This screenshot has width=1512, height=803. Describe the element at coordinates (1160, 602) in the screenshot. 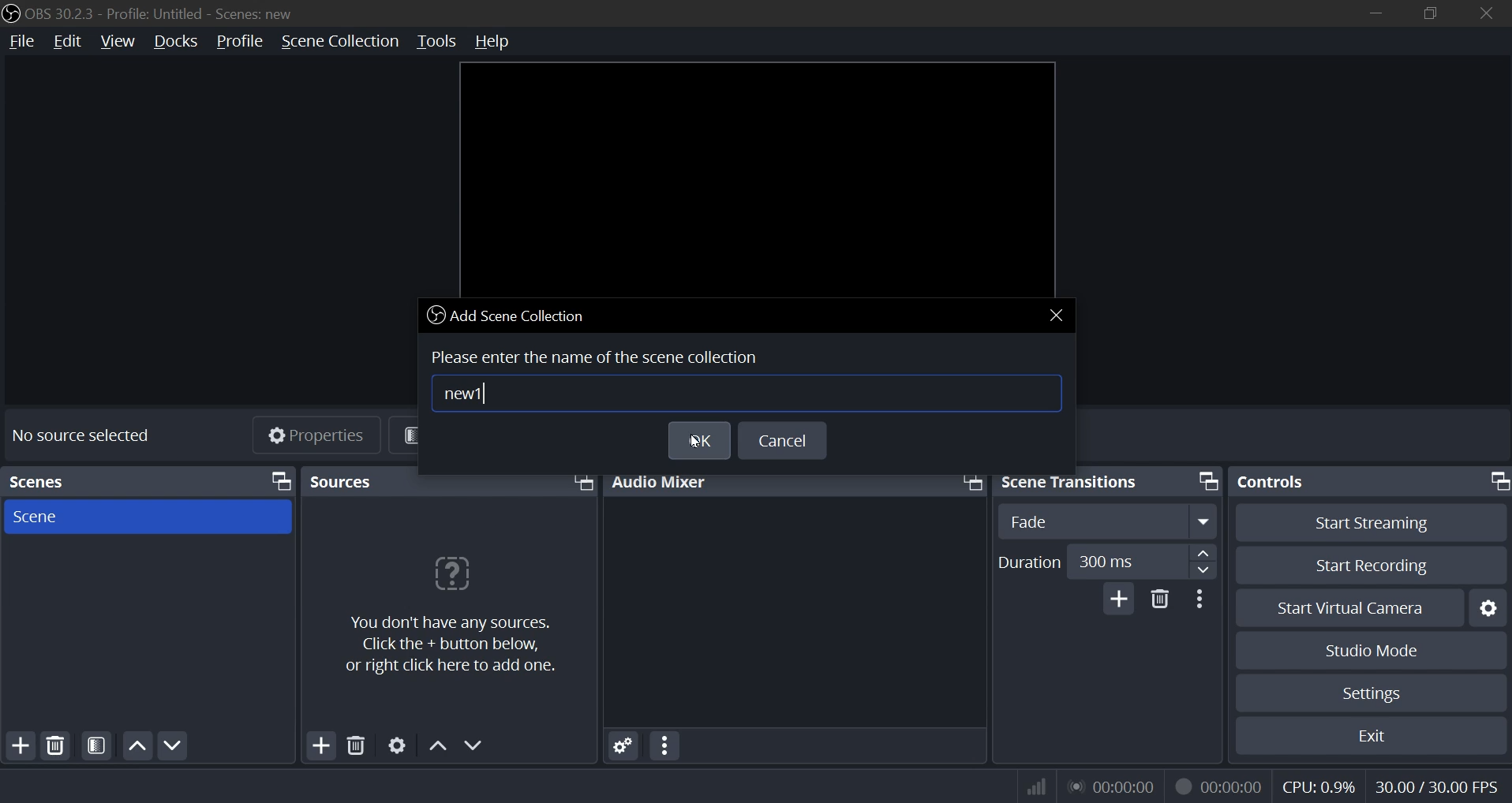

I see `delete` at that location.